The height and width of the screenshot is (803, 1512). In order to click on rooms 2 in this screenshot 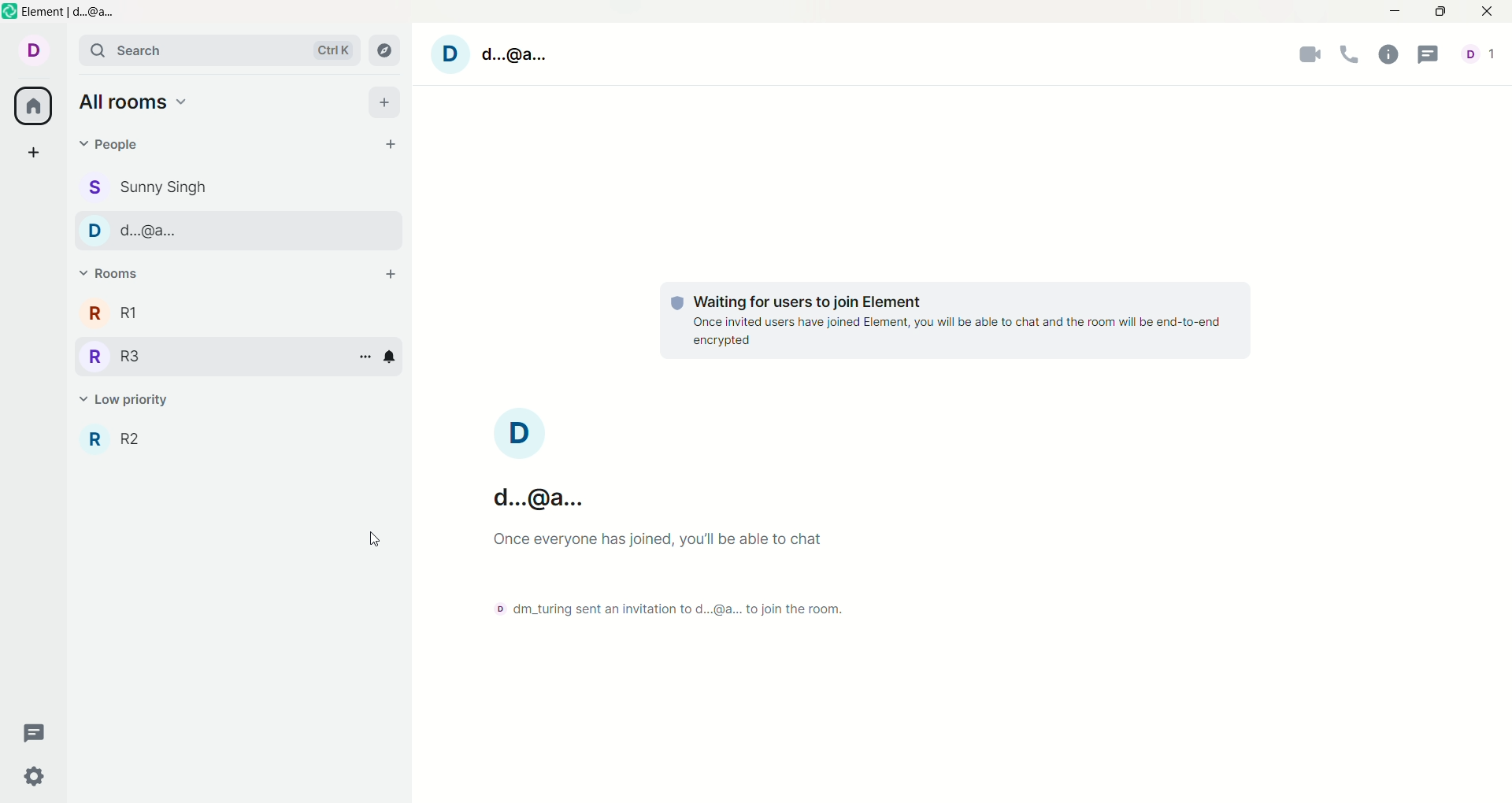, I will do `click(121, 437)`.